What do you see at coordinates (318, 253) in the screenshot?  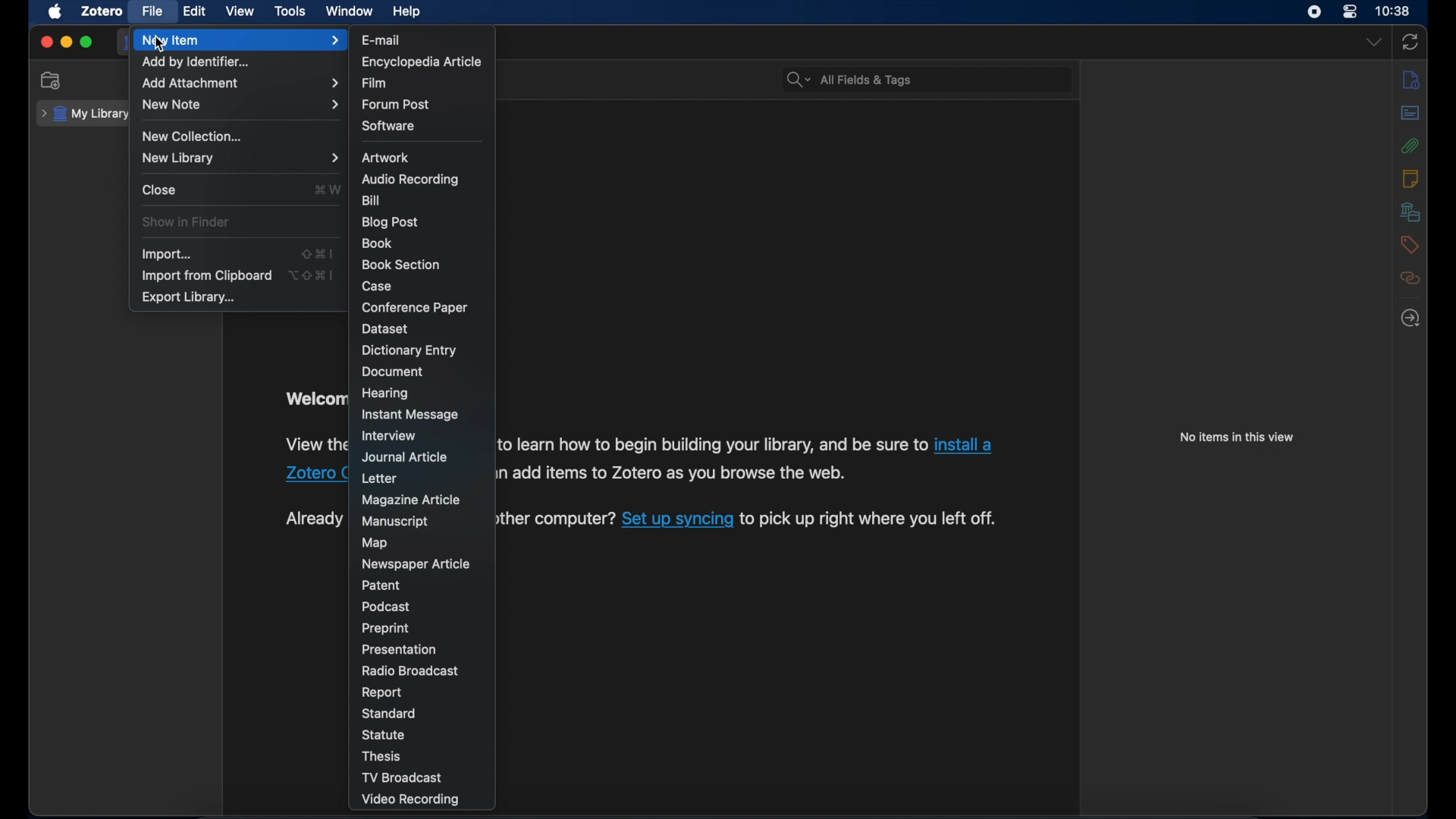 I see `shortcut` at bounding box center [318, 253].